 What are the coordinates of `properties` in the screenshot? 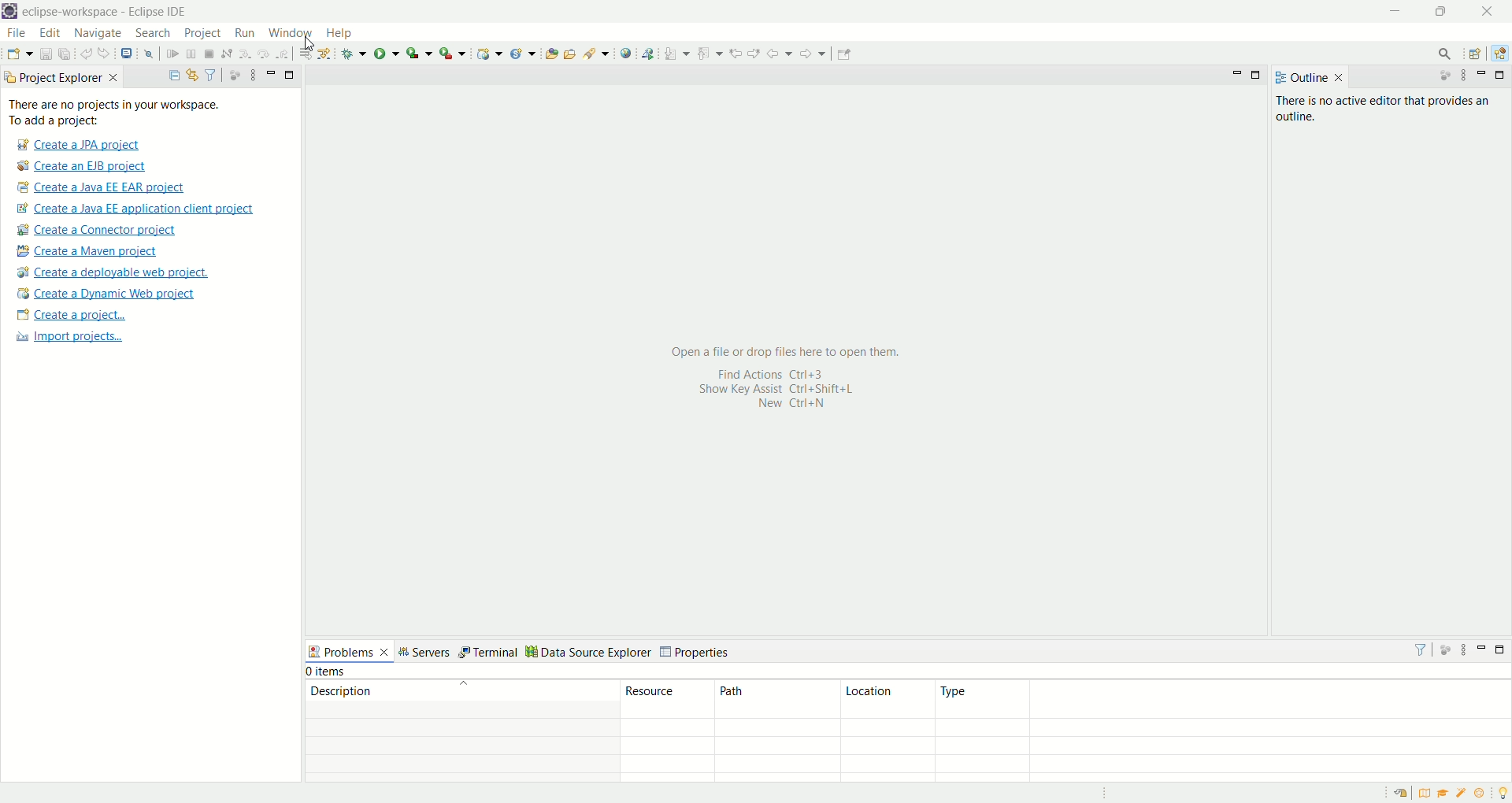 It's located at (696, 650).